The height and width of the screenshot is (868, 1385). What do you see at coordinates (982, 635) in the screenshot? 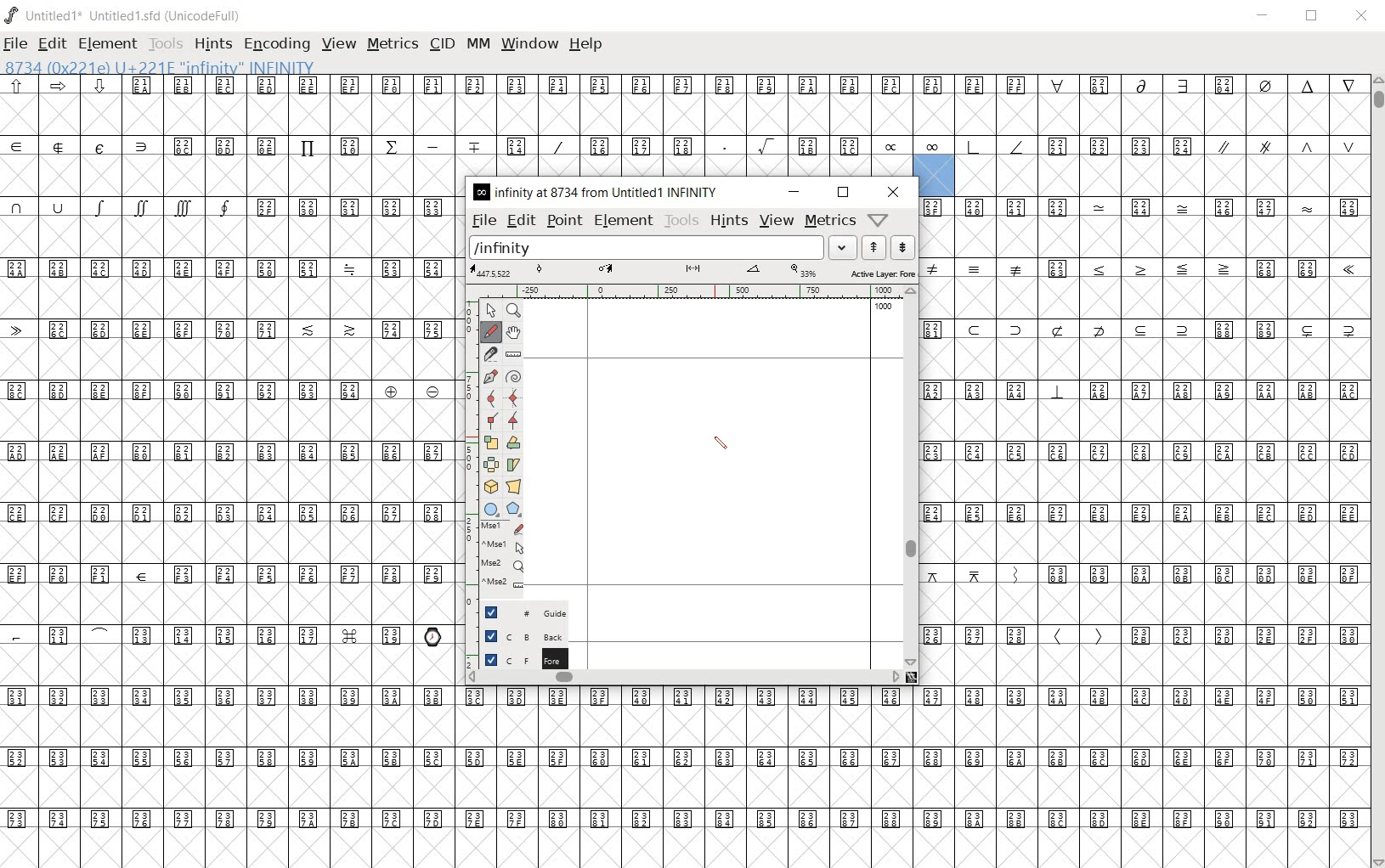
I see `Unicode code points` at bounding box center [982, 635].